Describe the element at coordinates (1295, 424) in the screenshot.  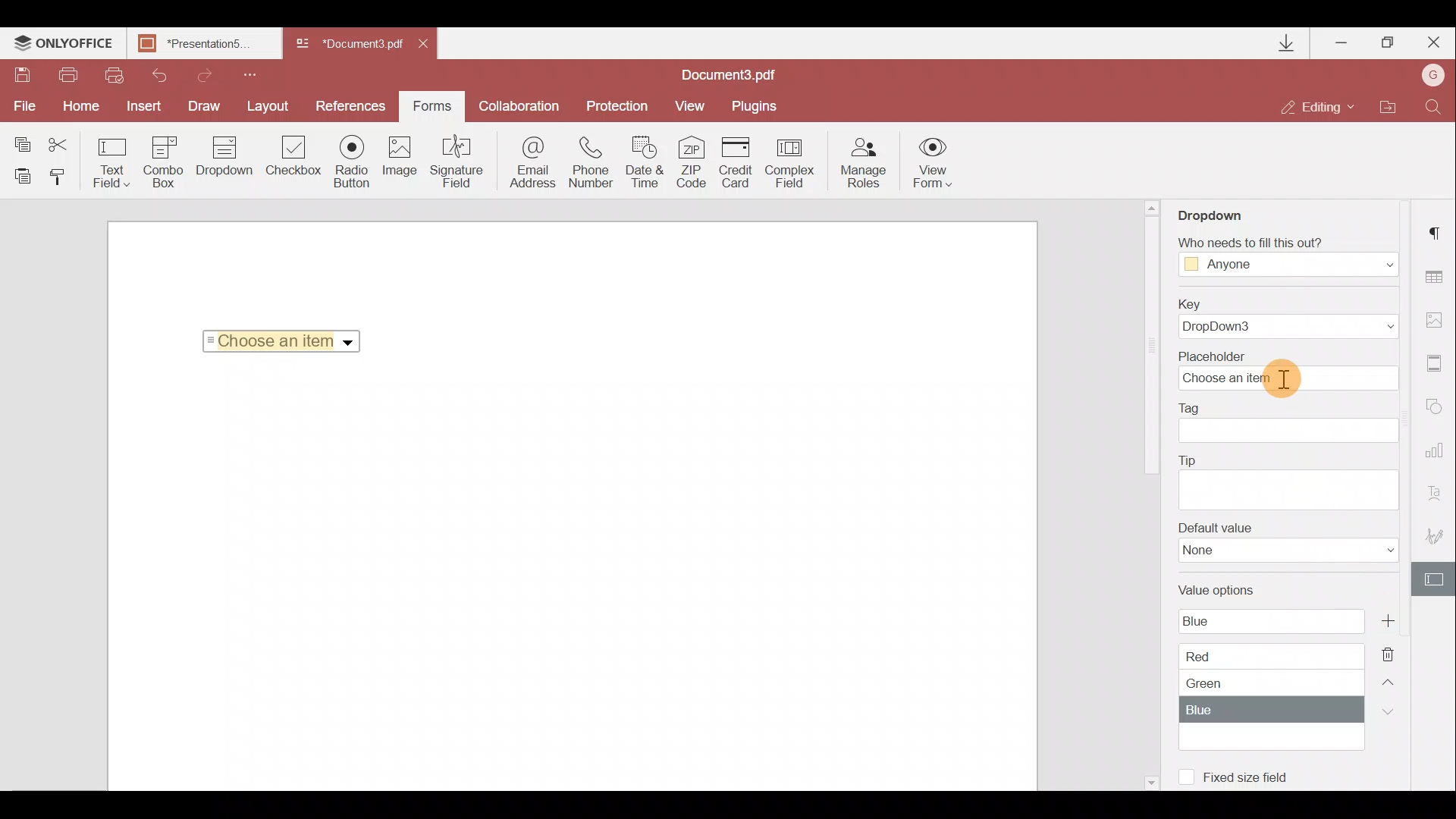
I see `Tag` at that location.